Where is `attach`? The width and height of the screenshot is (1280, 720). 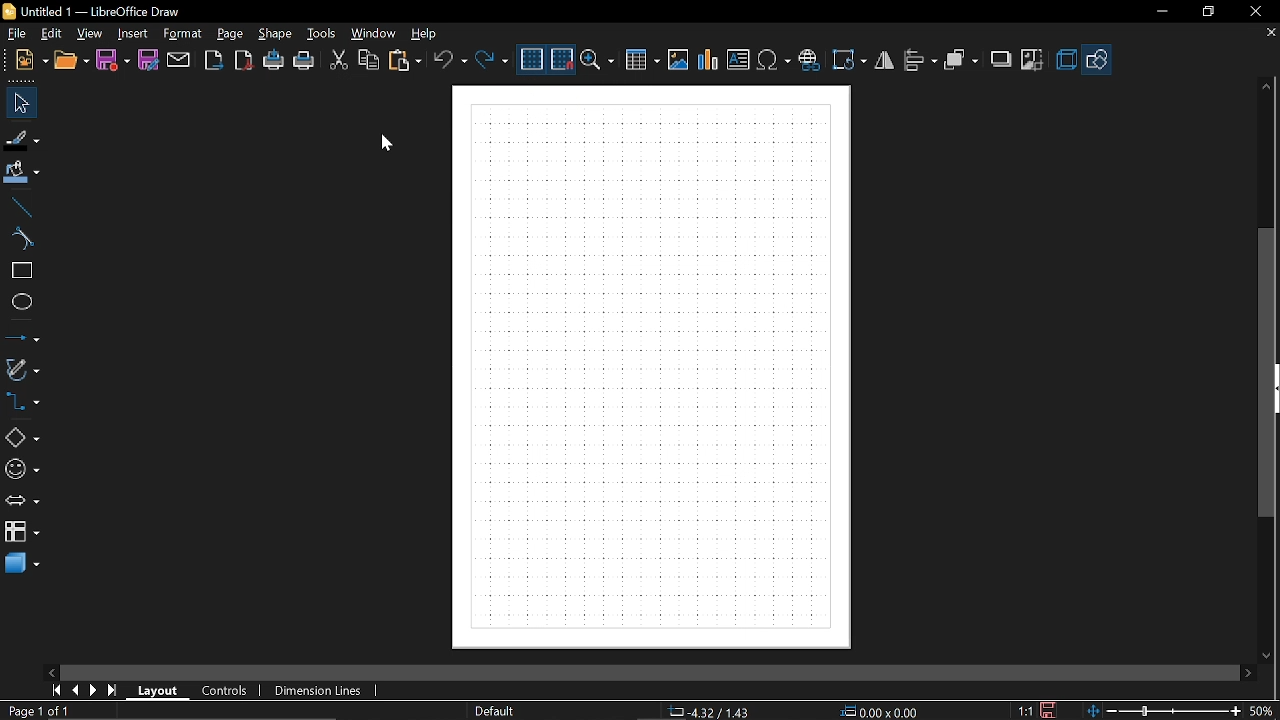
attach is located at coordinates (179, 61).